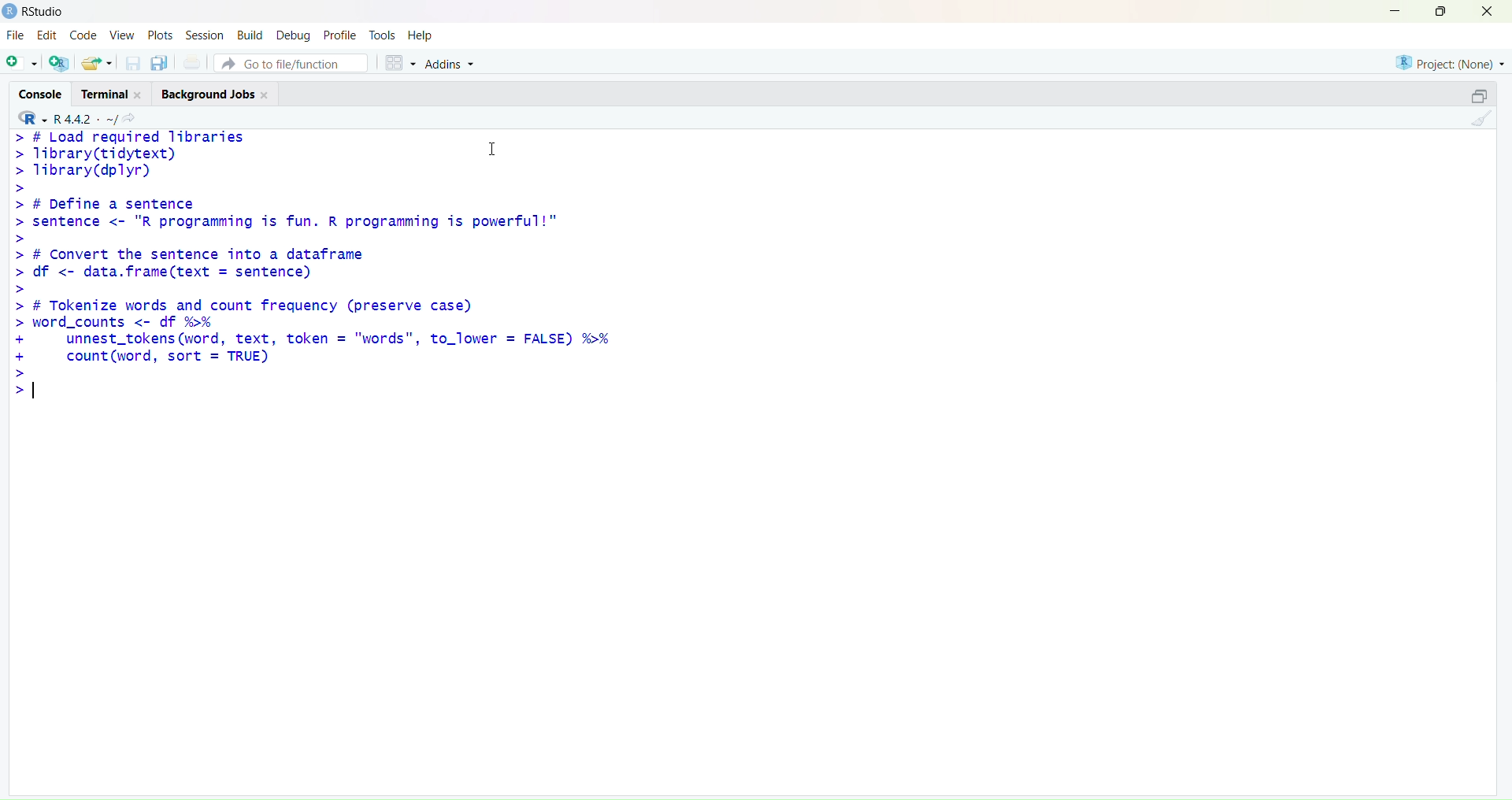  What do you see at coordinates (59, 64) in the screenshot?
I see `create a project` at bounding box center [59, 64].